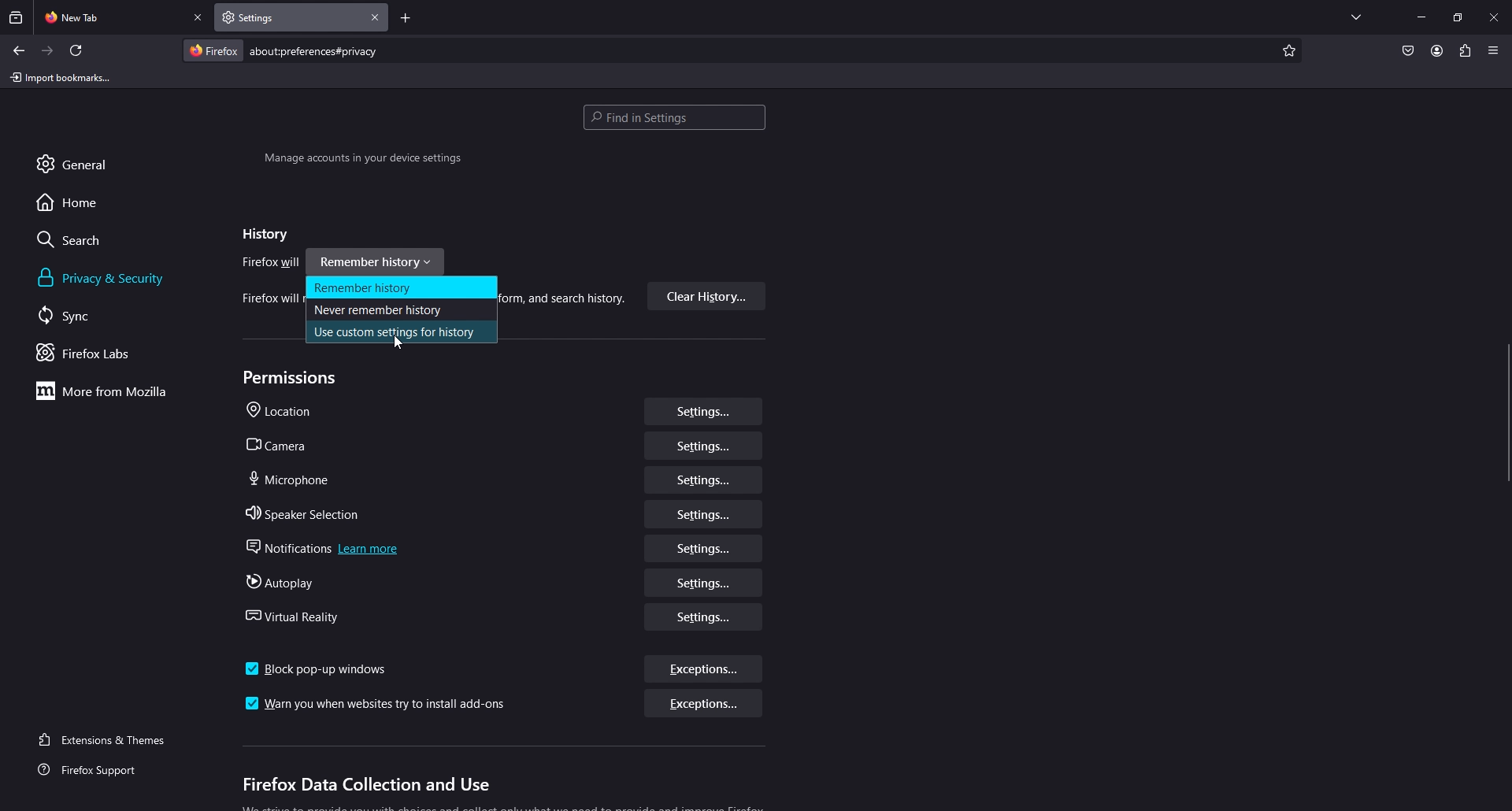  Describe the element at coordinates (705, 513) in the screenshot. I see `settings` at that location.